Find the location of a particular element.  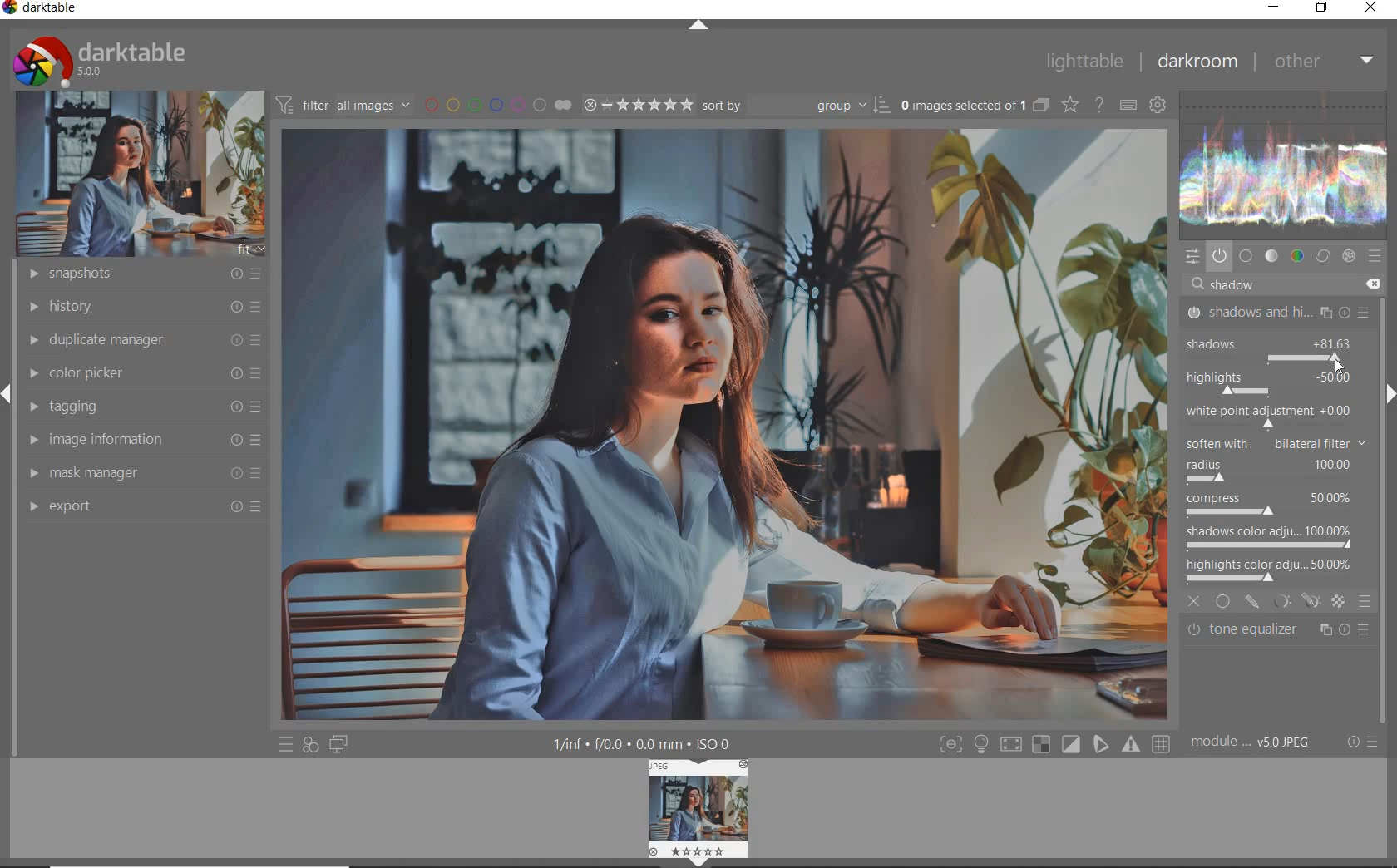

selected images is located at coordinates (961, 105).